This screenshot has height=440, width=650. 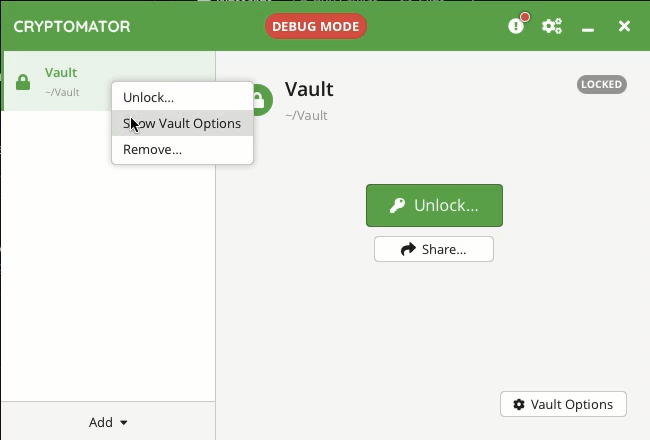 I want to click on Vault, so click(x=101, y=67).